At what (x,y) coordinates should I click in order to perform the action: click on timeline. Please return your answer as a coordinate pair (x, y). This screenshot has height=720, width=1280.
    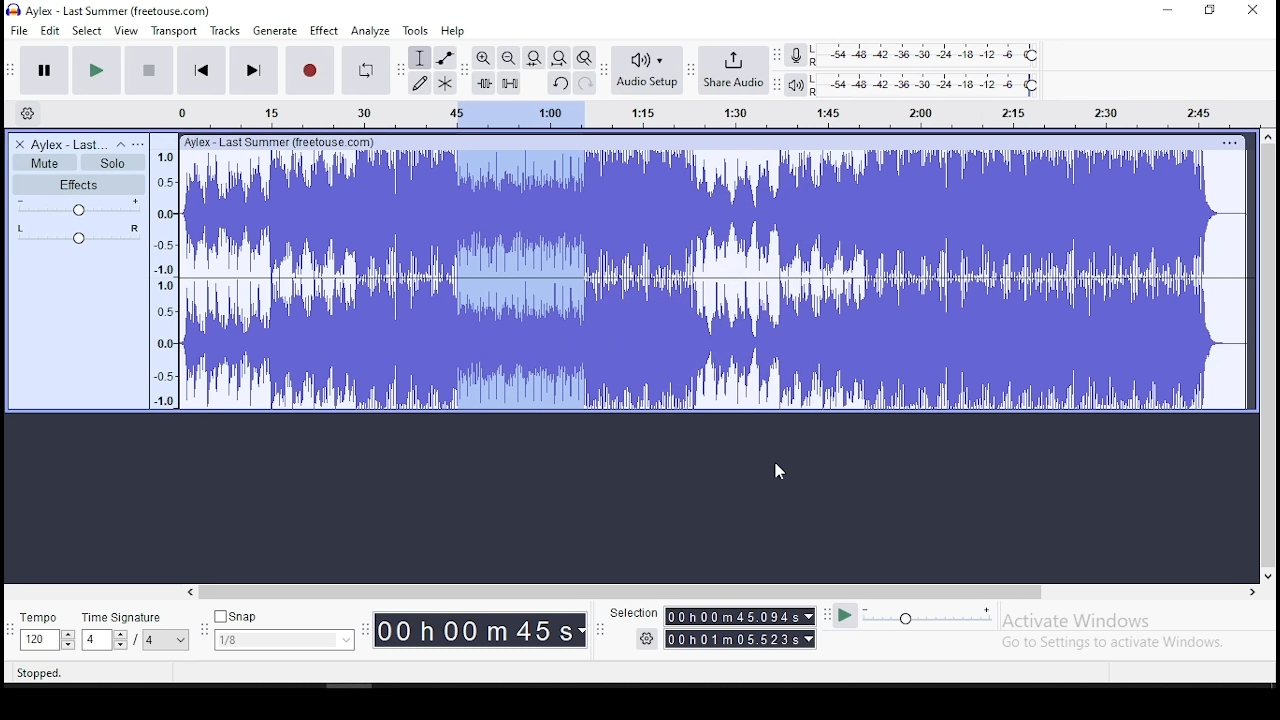
    Looking at the image, I should click on (168, 274).